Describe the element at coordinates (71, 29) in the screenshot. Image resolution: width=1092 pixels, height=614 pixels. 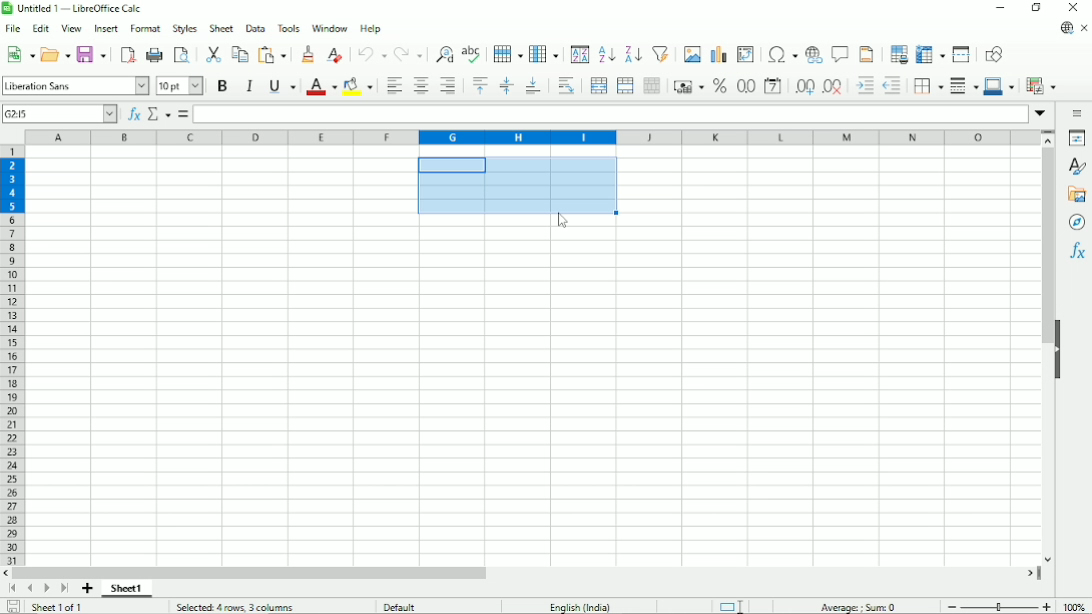
I see `View` at that location.